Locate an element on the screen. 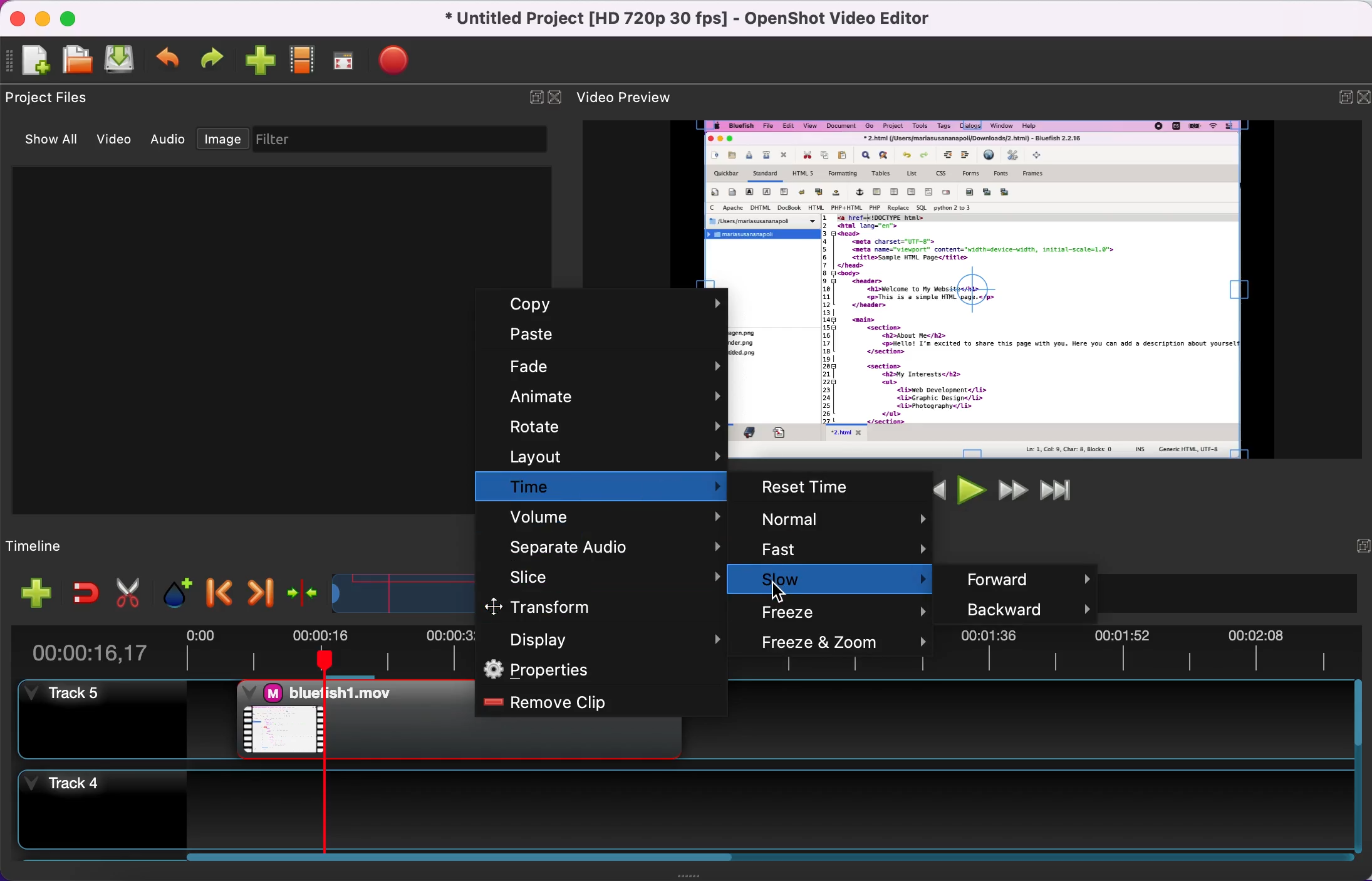 The image size is (1372, 881). freeze and zoom is located at coordinates (845, 644).